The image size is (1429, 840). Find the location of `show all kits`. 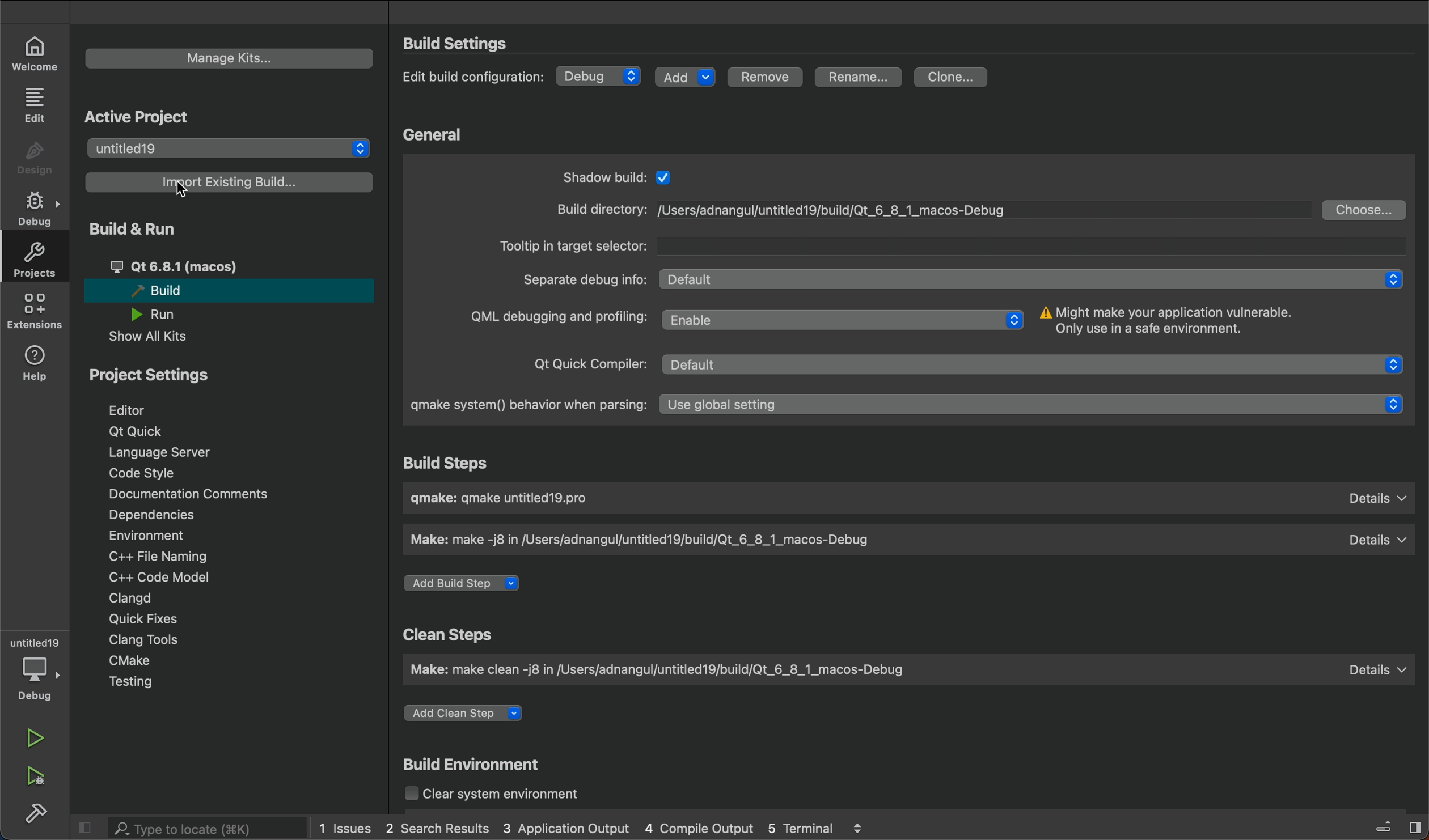

show all kits is located at coordinates (162, 337).